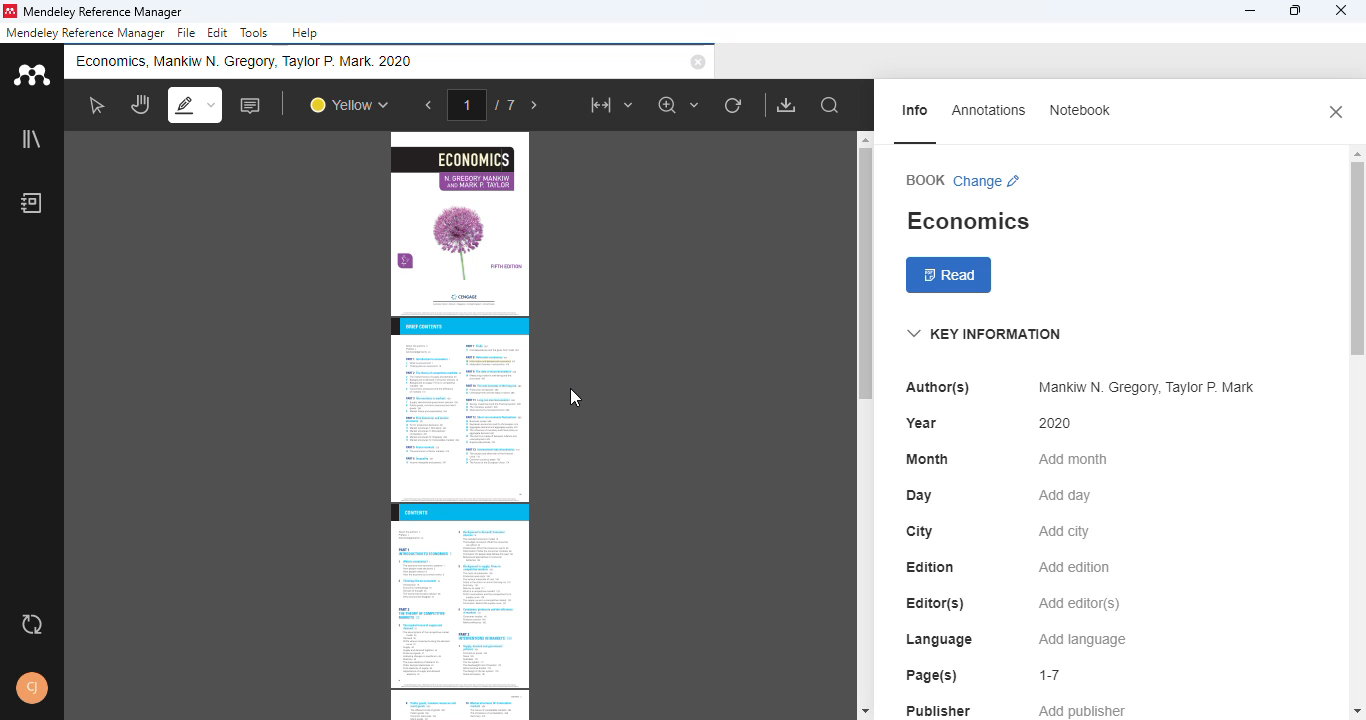 This screenshot has width=1366, height=720. What do you see at coordinates (950, 276) in the screenshot?
I see `read` at bounding box center [950, 276].